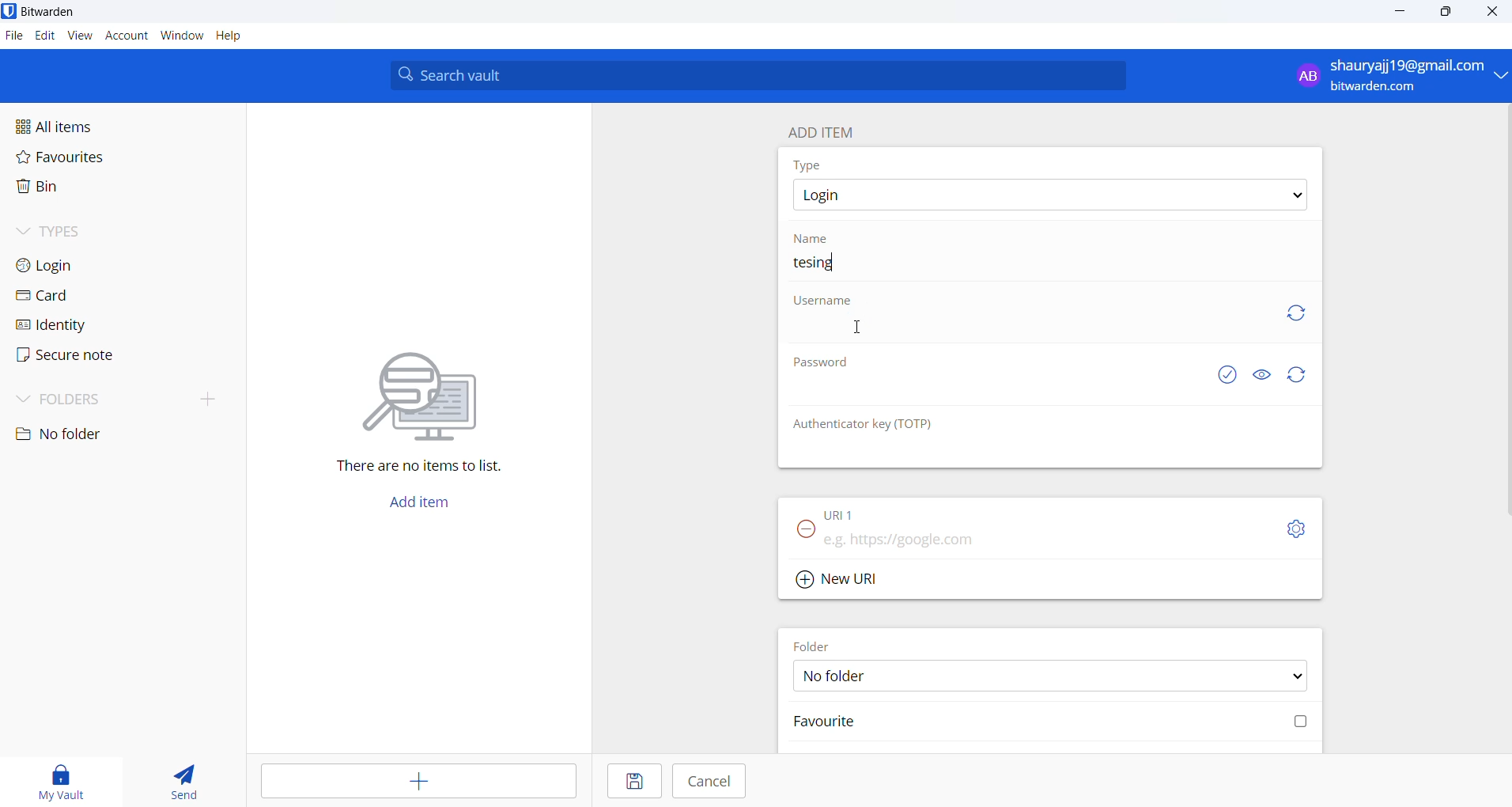 The image size is (1512, 807). Describe the element at coordinates (1230, 375) in the screenshot. I see `check if password is exposed or not` at that location.